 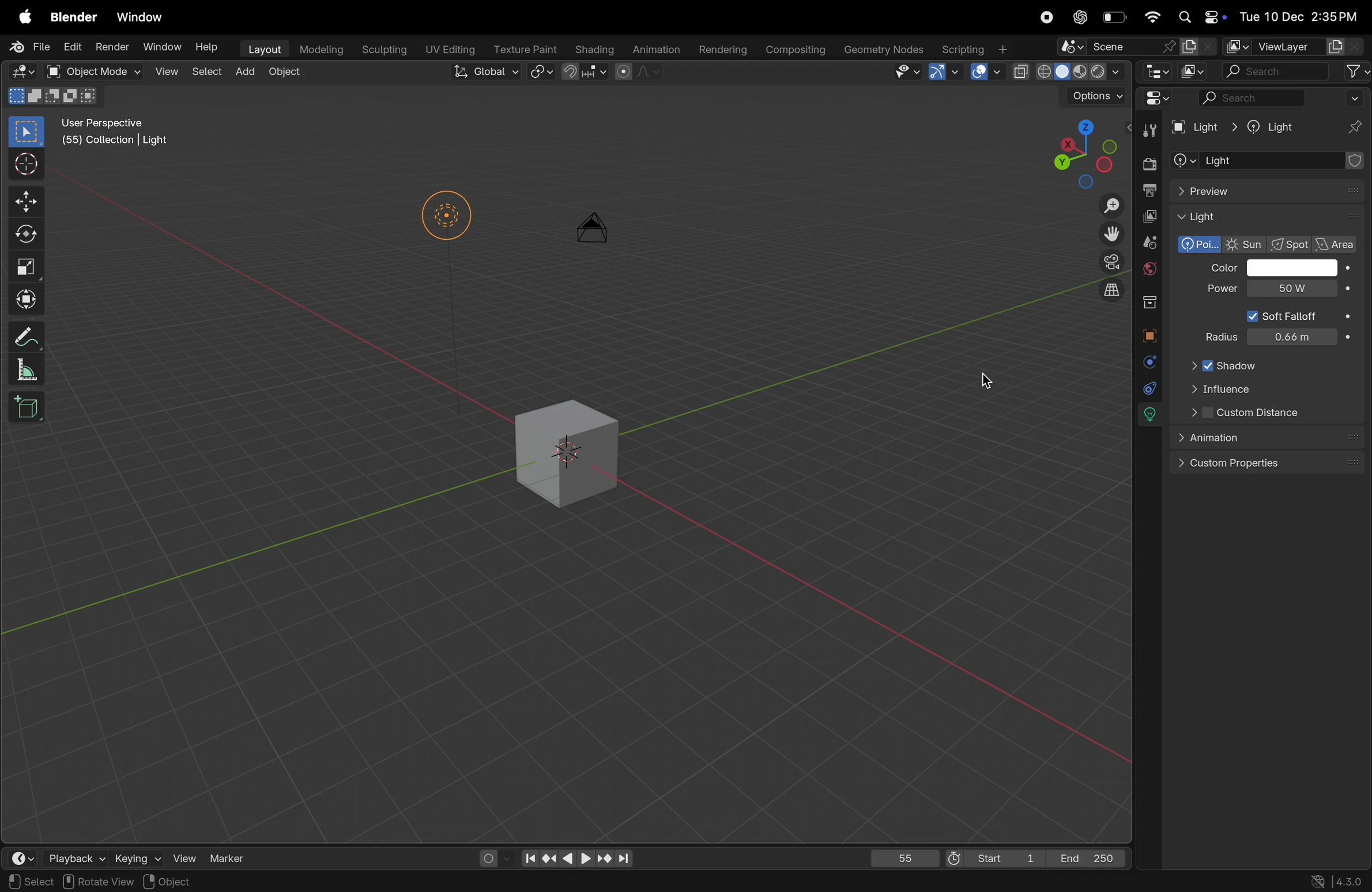 I want to click on Zoom, so click(x=1114, y=207).